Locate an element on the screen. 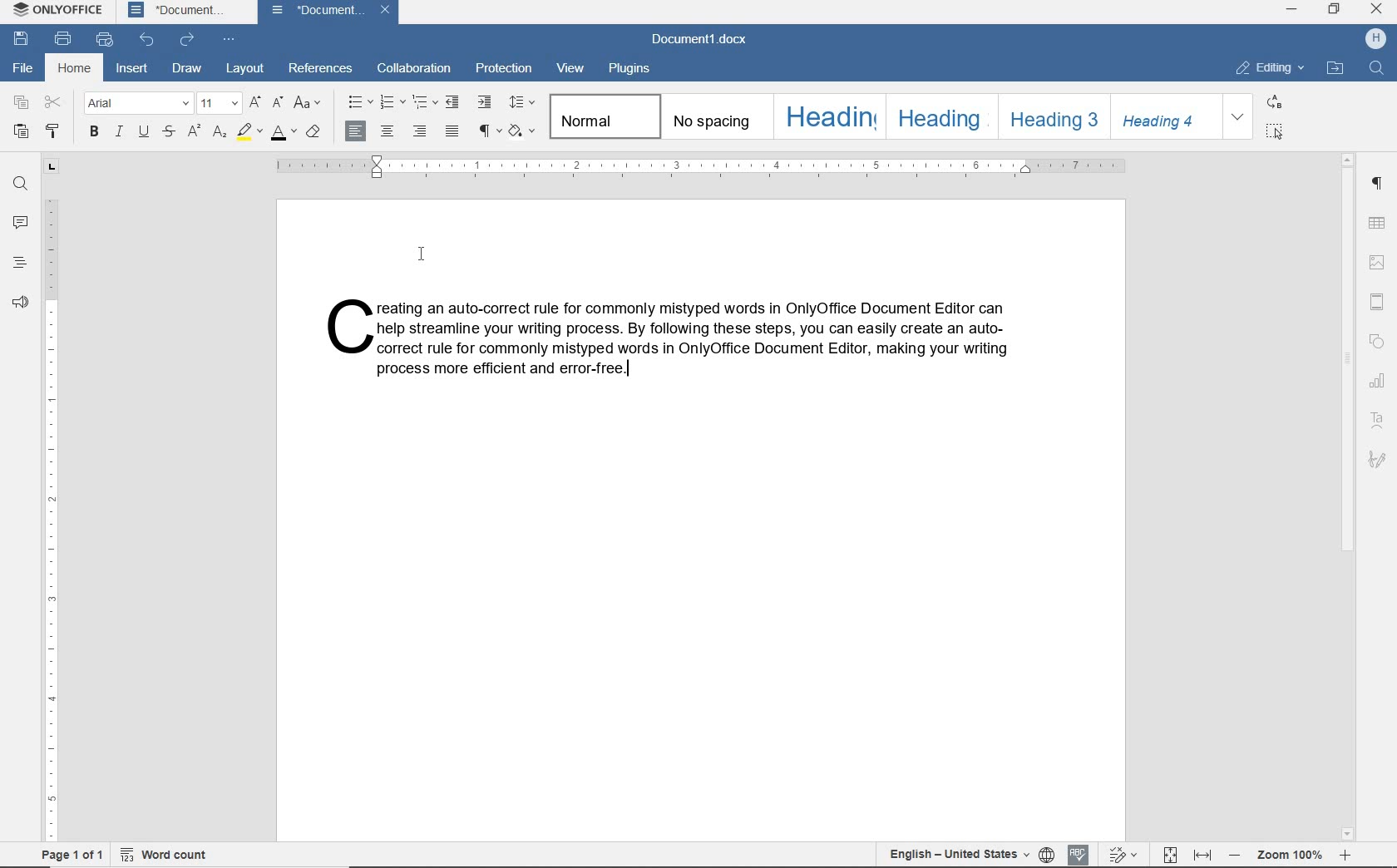  WORD COUNT is located at coordinates (168, 853).